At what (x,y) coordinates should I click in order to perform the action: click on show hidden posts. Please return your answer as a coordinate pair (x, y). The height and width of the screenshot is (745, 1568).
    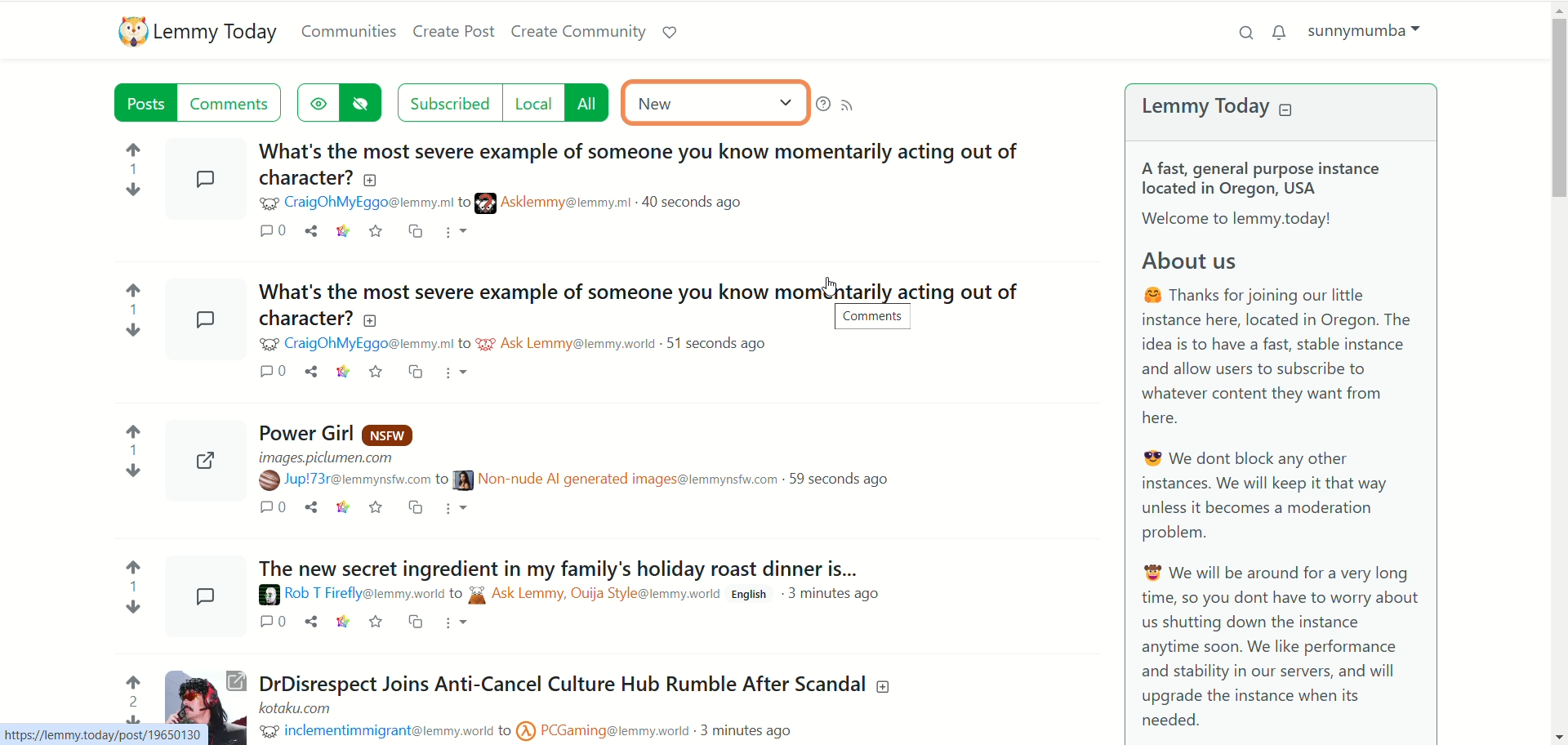
    Looking at the image, I should click on (318, 101).